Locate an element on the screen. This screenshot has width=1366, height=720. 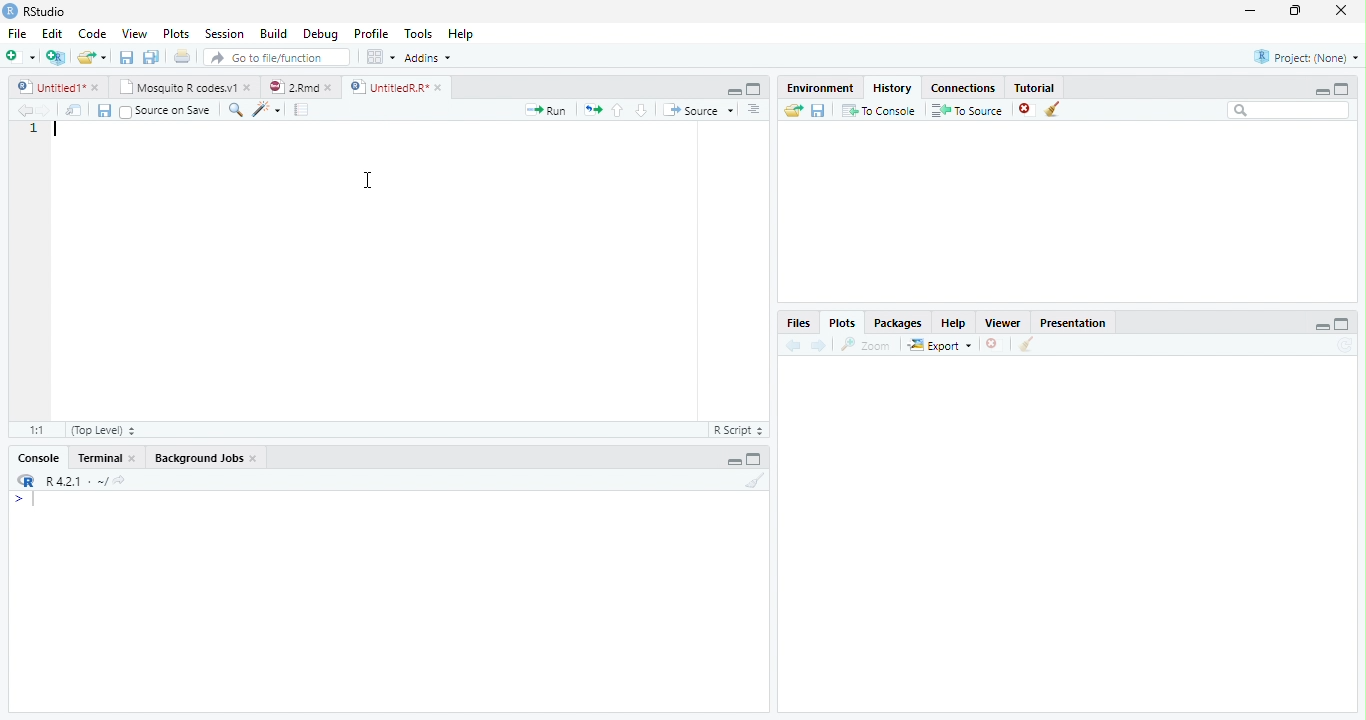
clear is located at coordinates (1053, 110).